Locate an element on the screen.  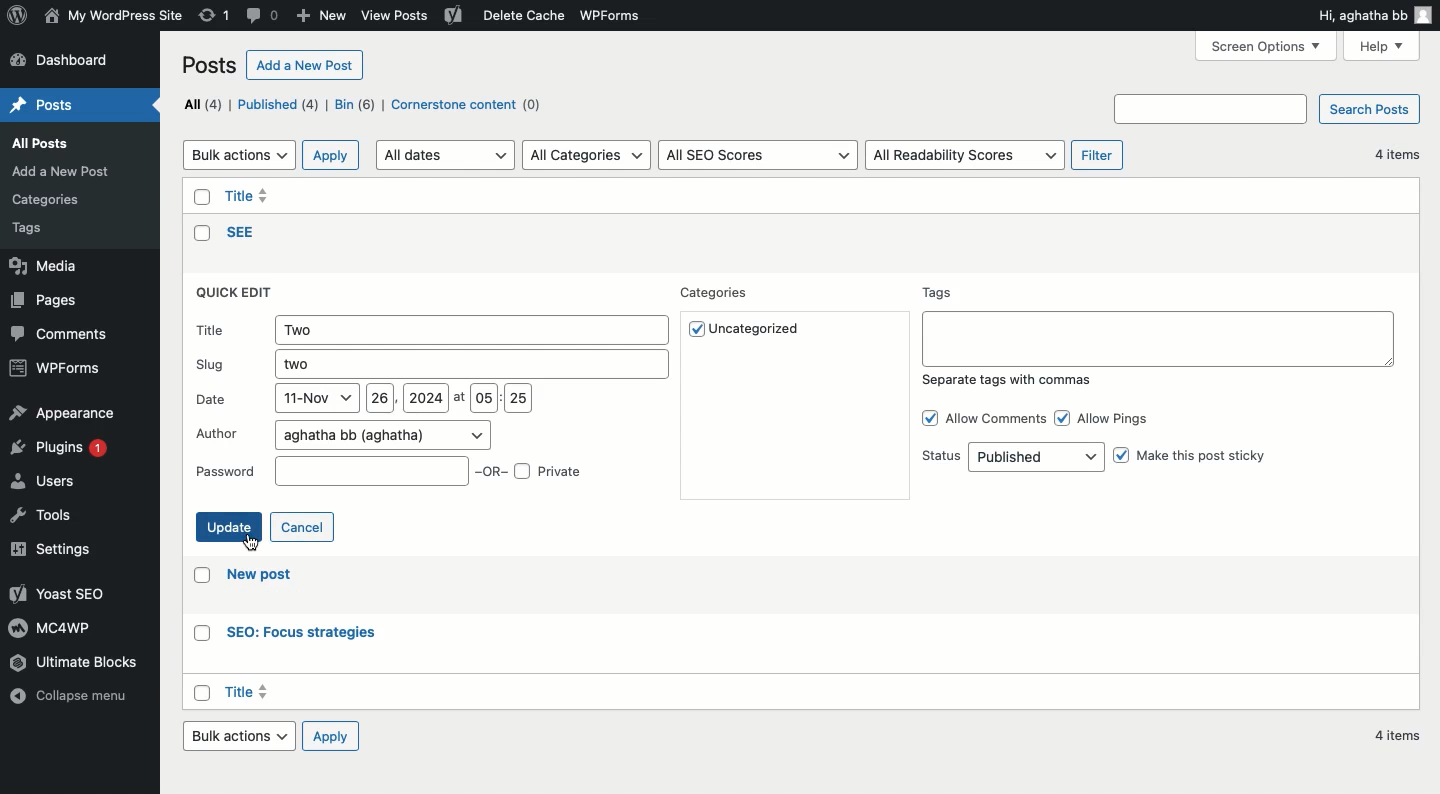
OR Private is located at coordinates (534, 470).